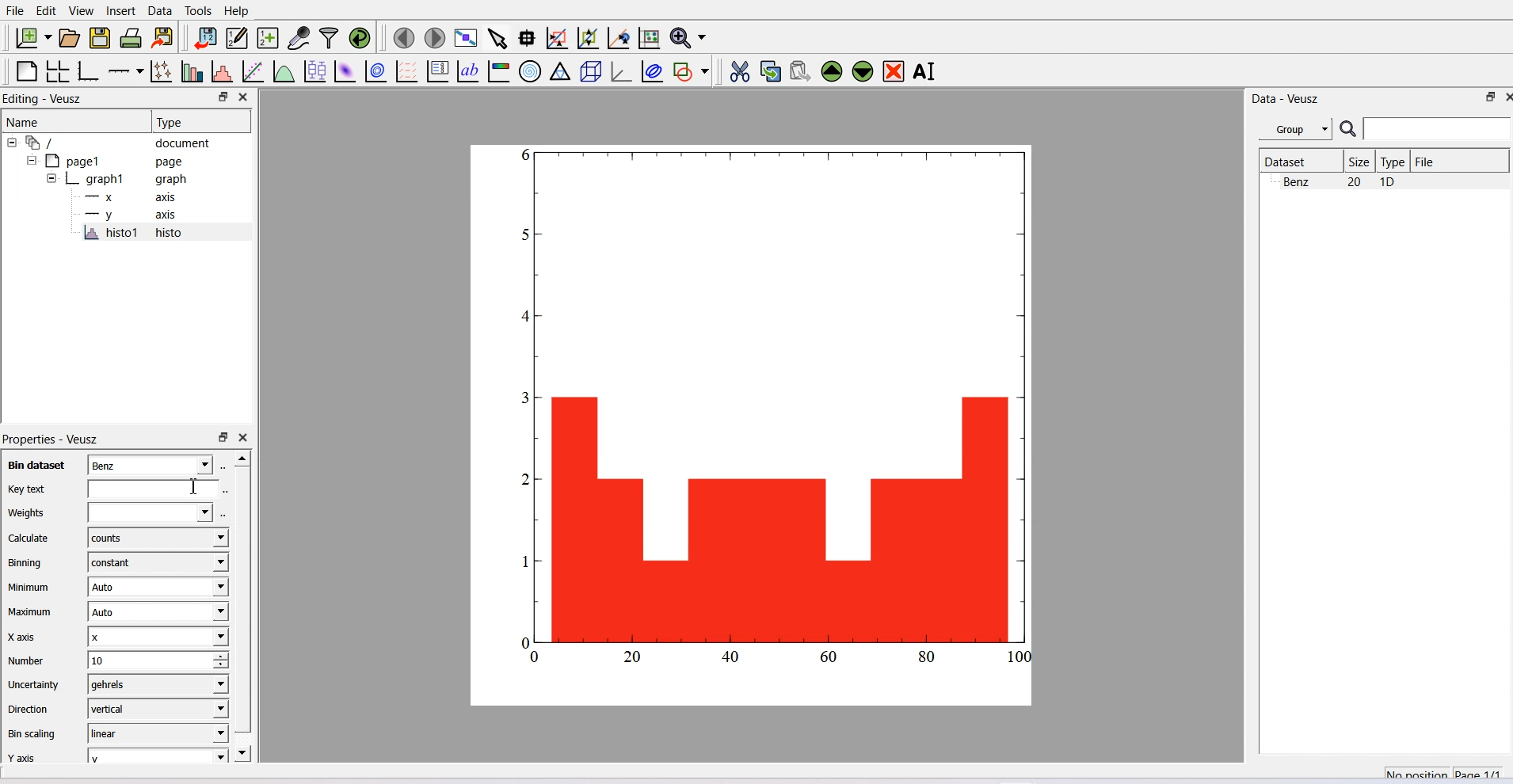 This screenshot has width=1513, height=784. Describe the element at coordinates (244, 438) in the screenshot. I see `Close` at that location.